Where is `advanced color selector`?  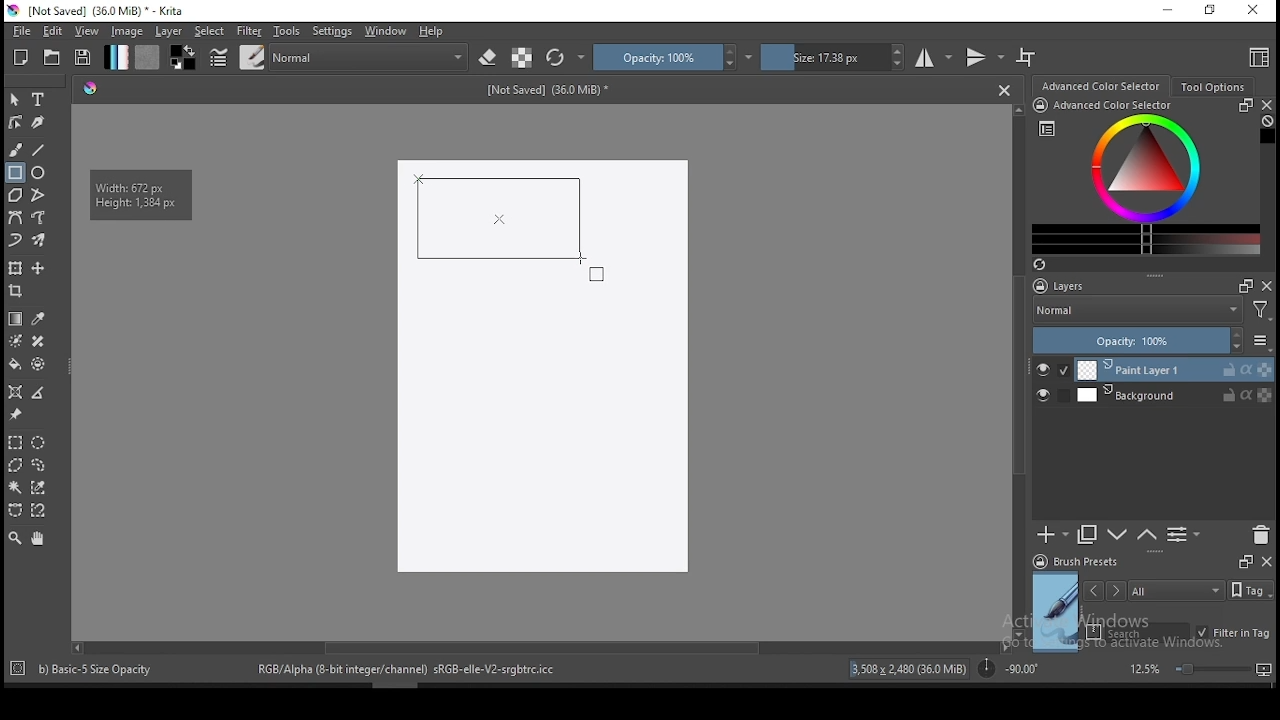
advanced color selector is located at coordinates (1142, 176).